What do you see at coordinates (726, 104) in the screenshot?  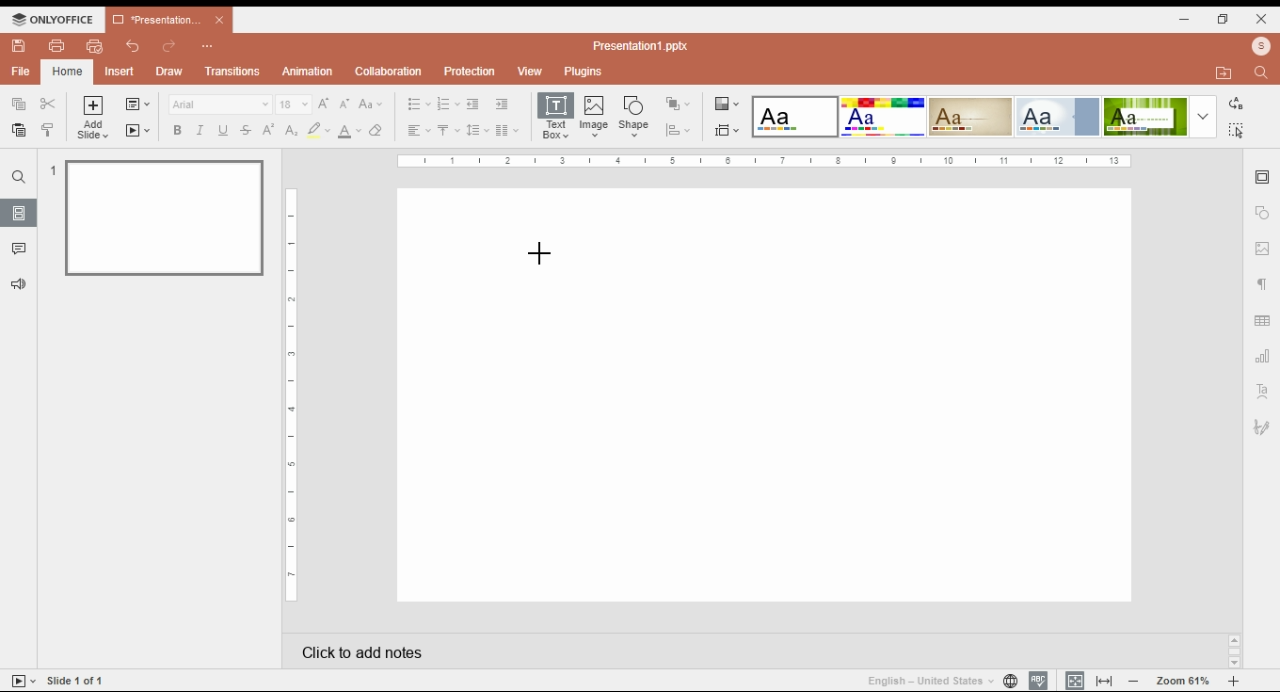 I see `color themes` at bounding box center [726, 104].